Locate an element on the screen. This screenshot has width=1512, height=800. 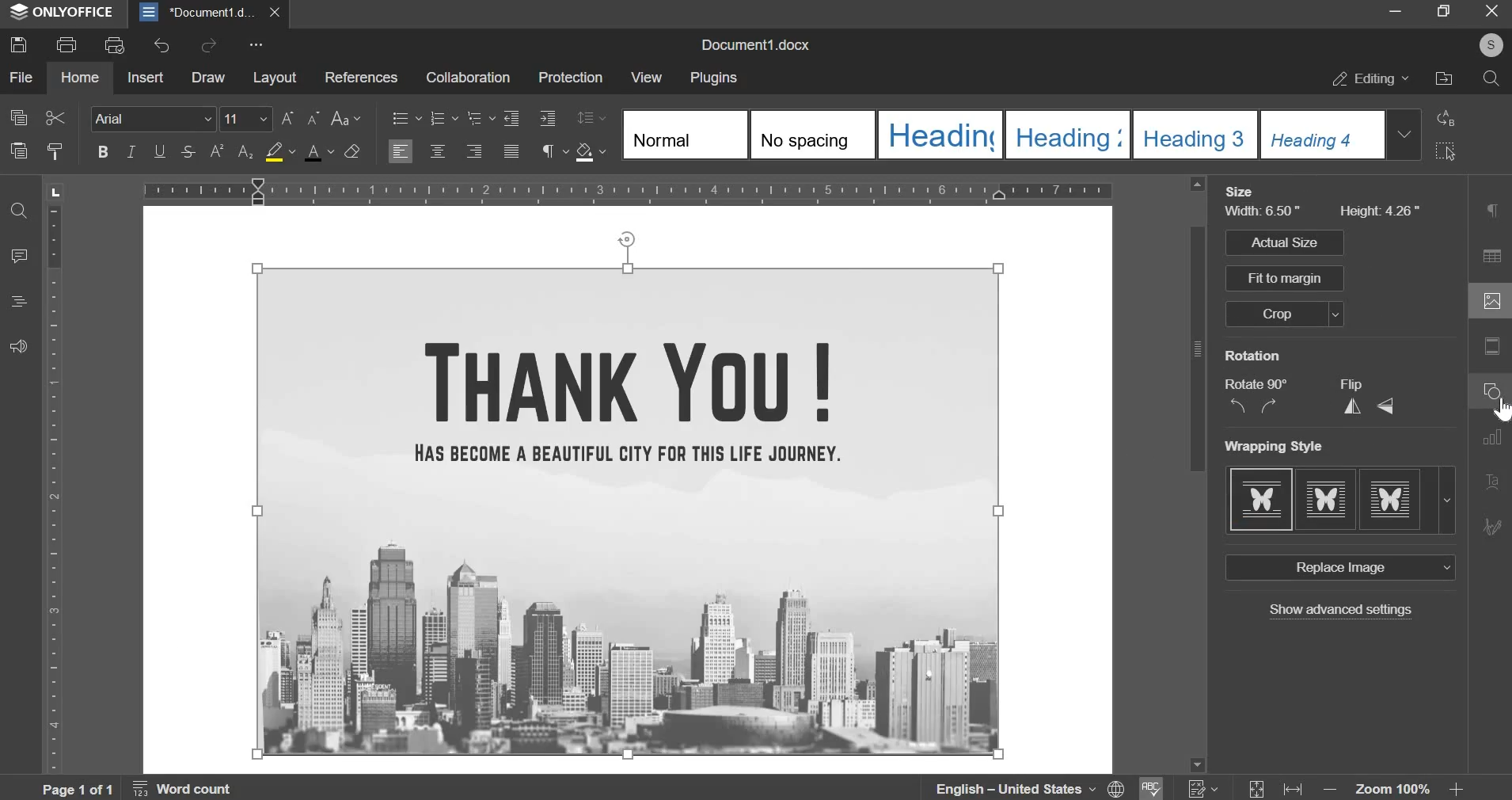
strikethrough is located at coordinates (188, 150).